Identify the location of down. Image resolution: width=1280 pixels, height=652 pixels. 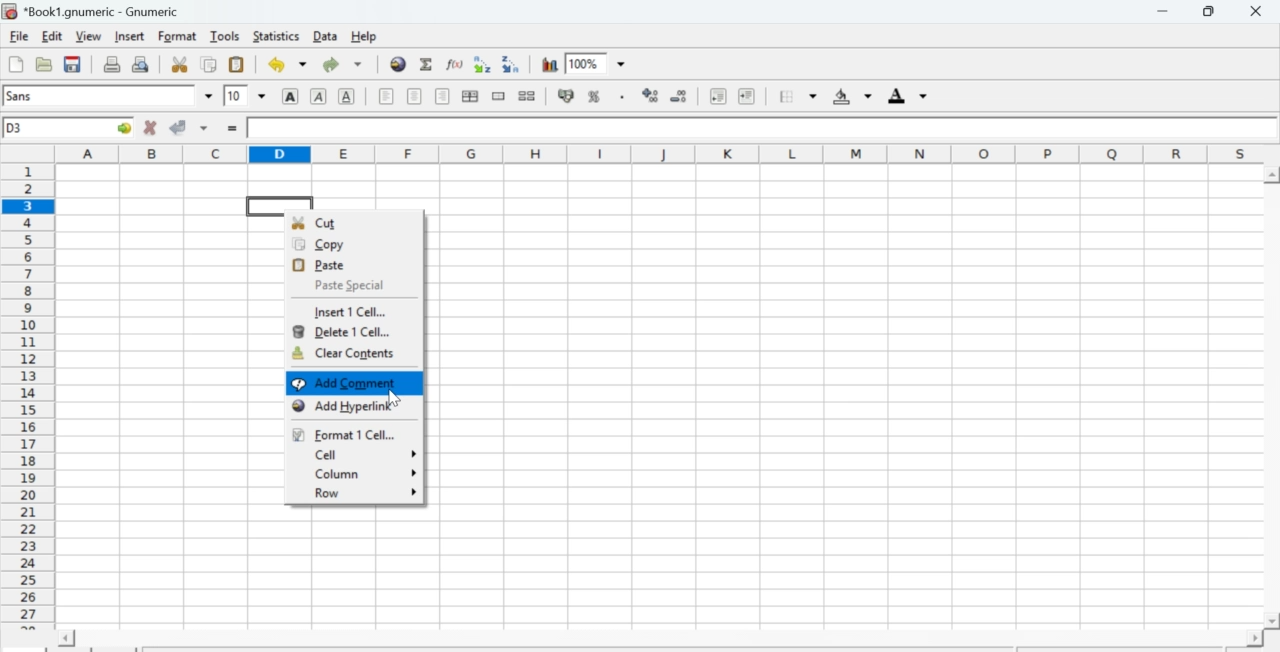
(205, 127).